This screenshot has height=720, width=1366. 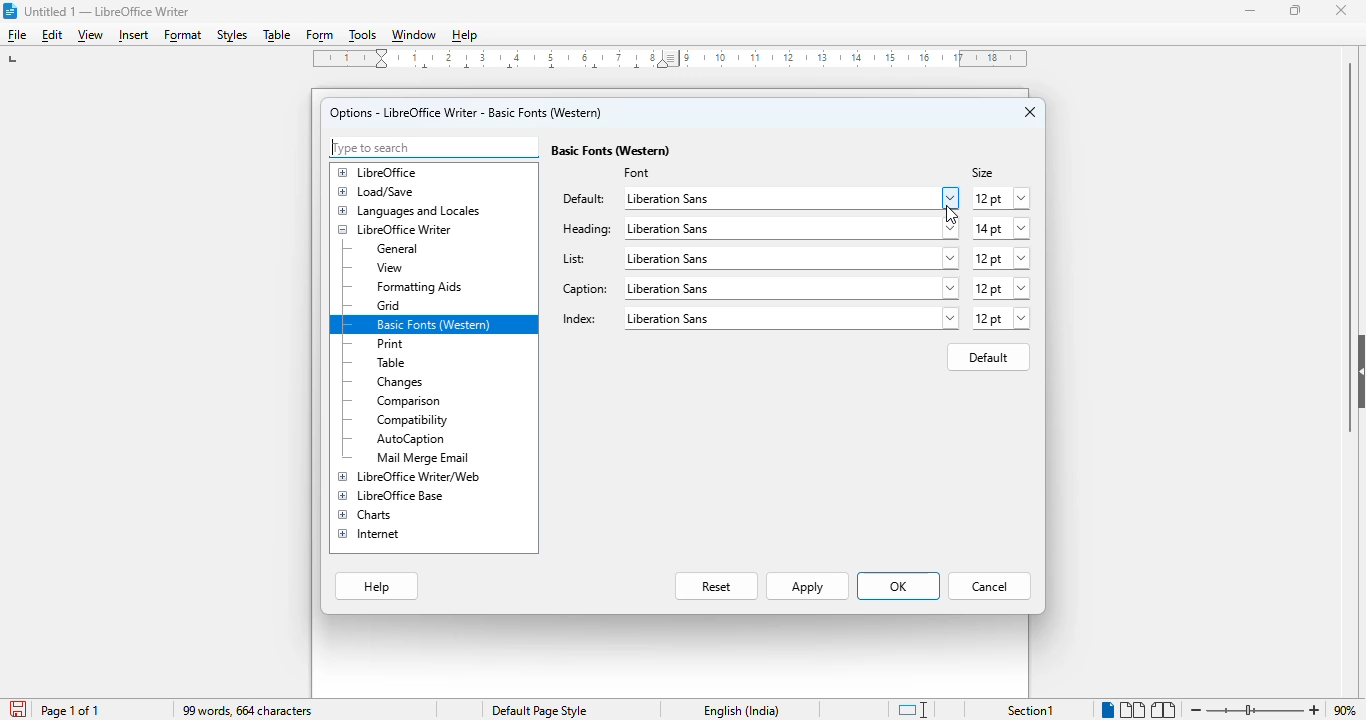 I want to click on styles, so click(x=233, y=36).